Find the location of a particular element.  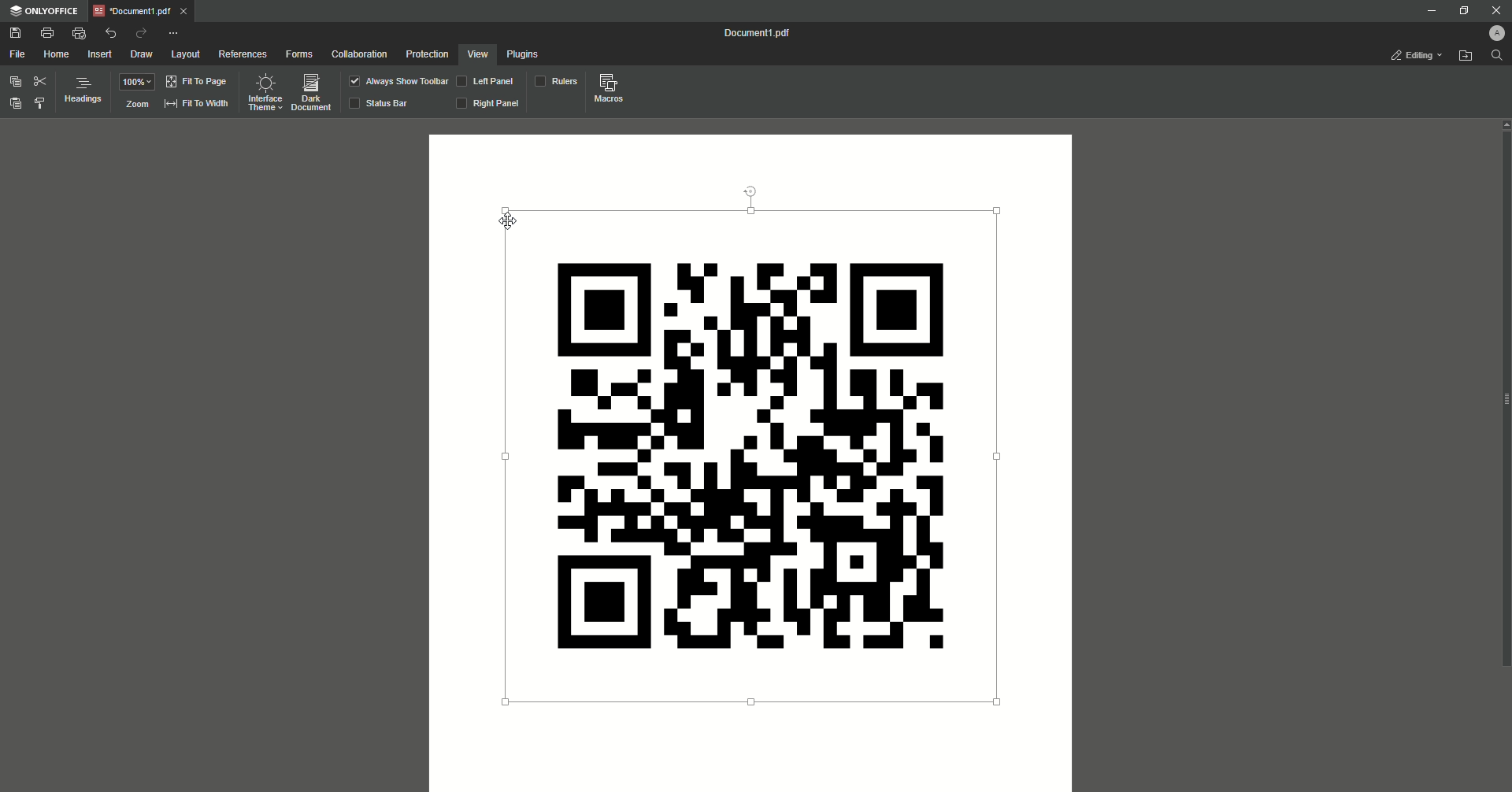

Quick print is located at coordinates (80, 33).